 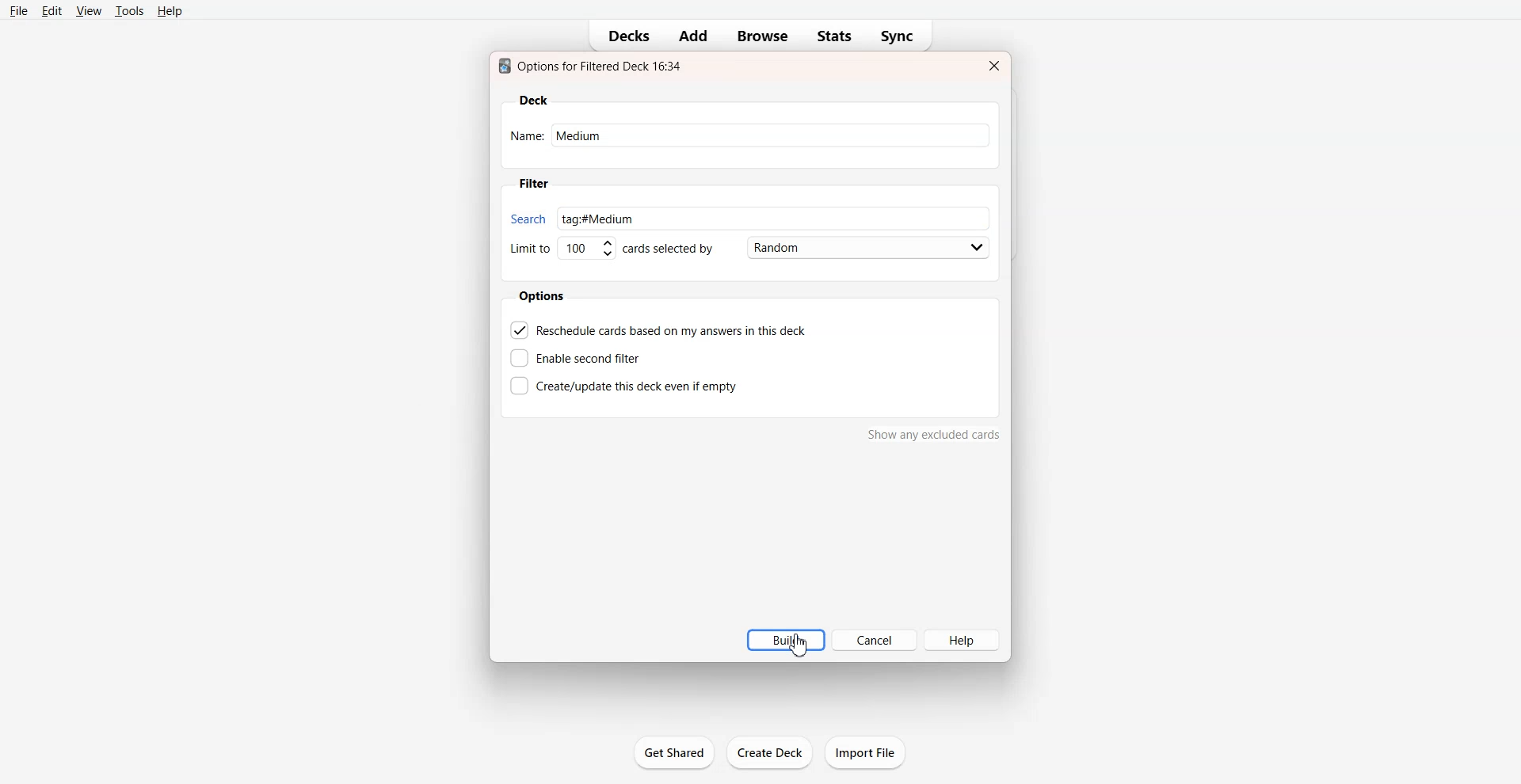 I want to click on View, so click(x=89, y=10).